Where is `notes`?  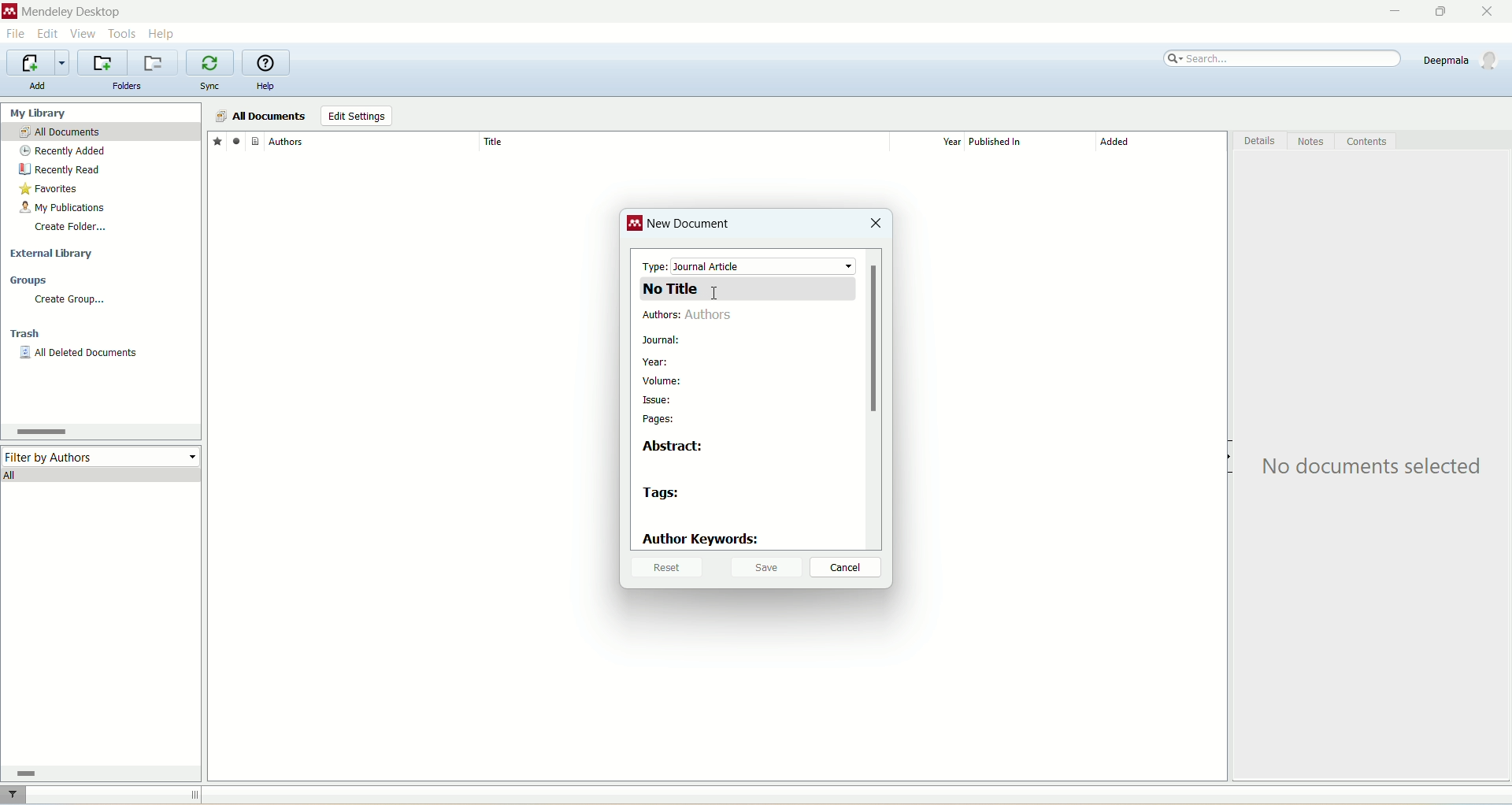 notes is located at coordinates (1313, 142).